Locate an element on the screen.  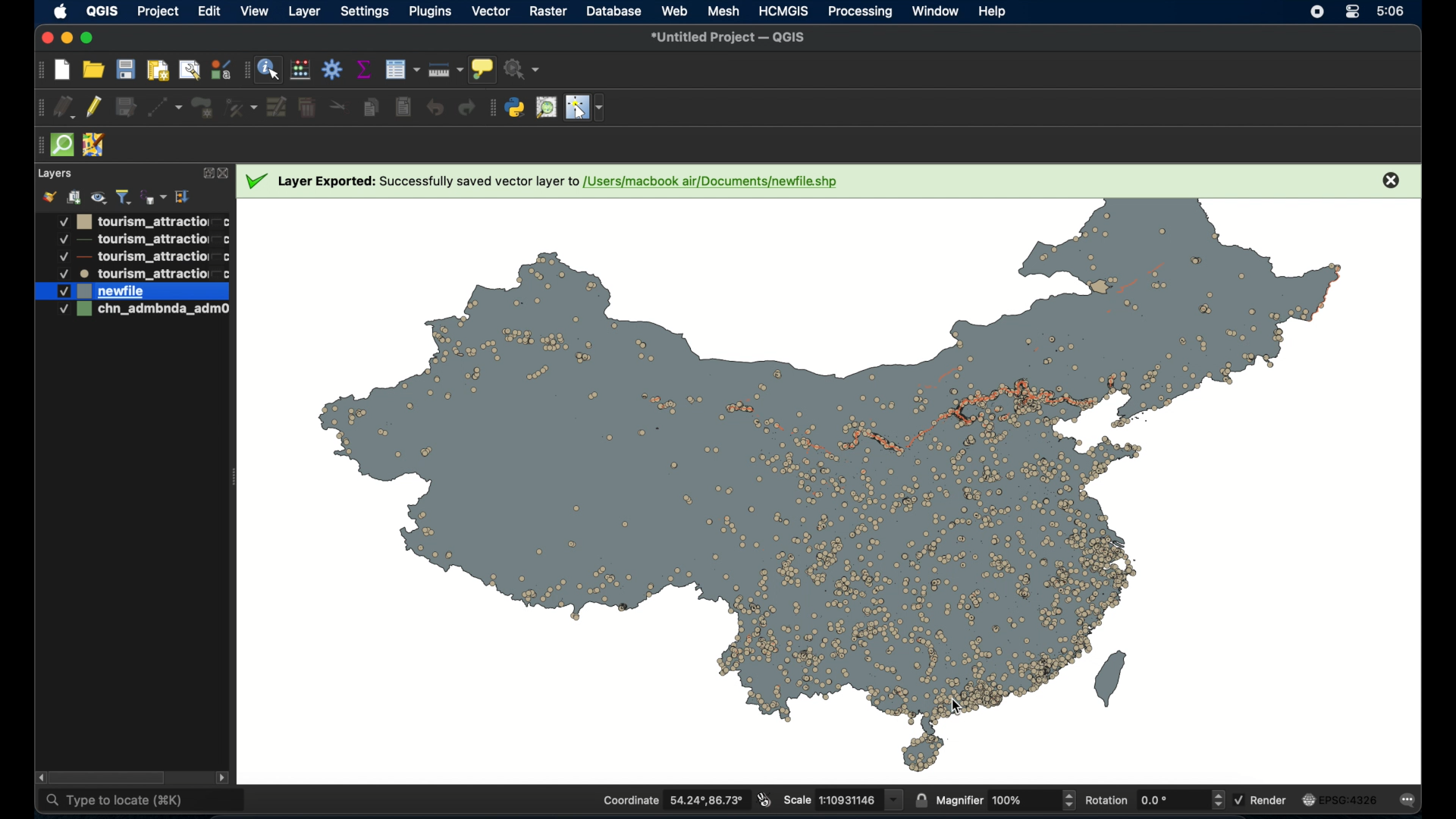
paste features is located at coordinates (404, 108).